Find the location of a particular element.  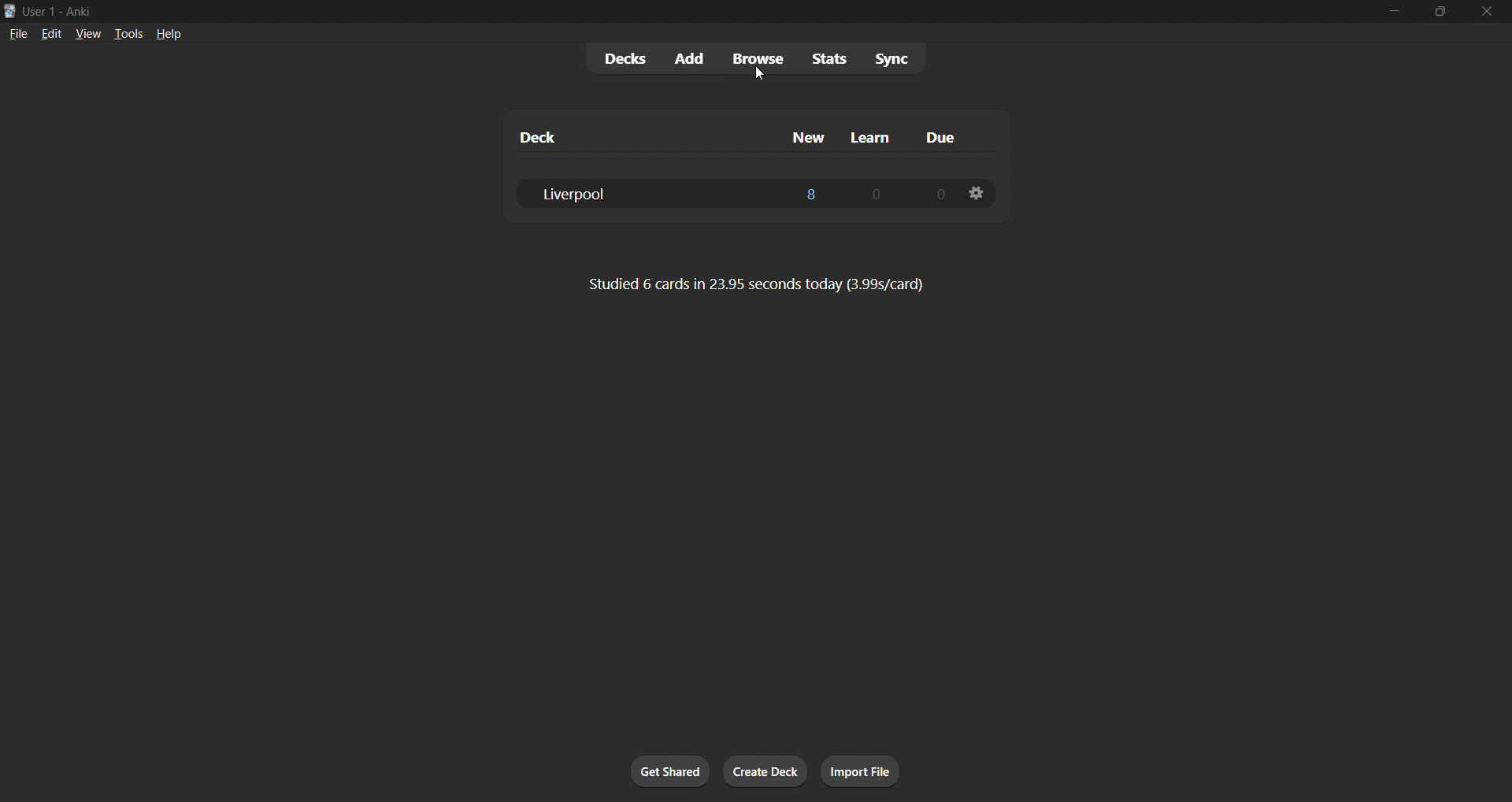

due column is located at coordinates (940, 139).